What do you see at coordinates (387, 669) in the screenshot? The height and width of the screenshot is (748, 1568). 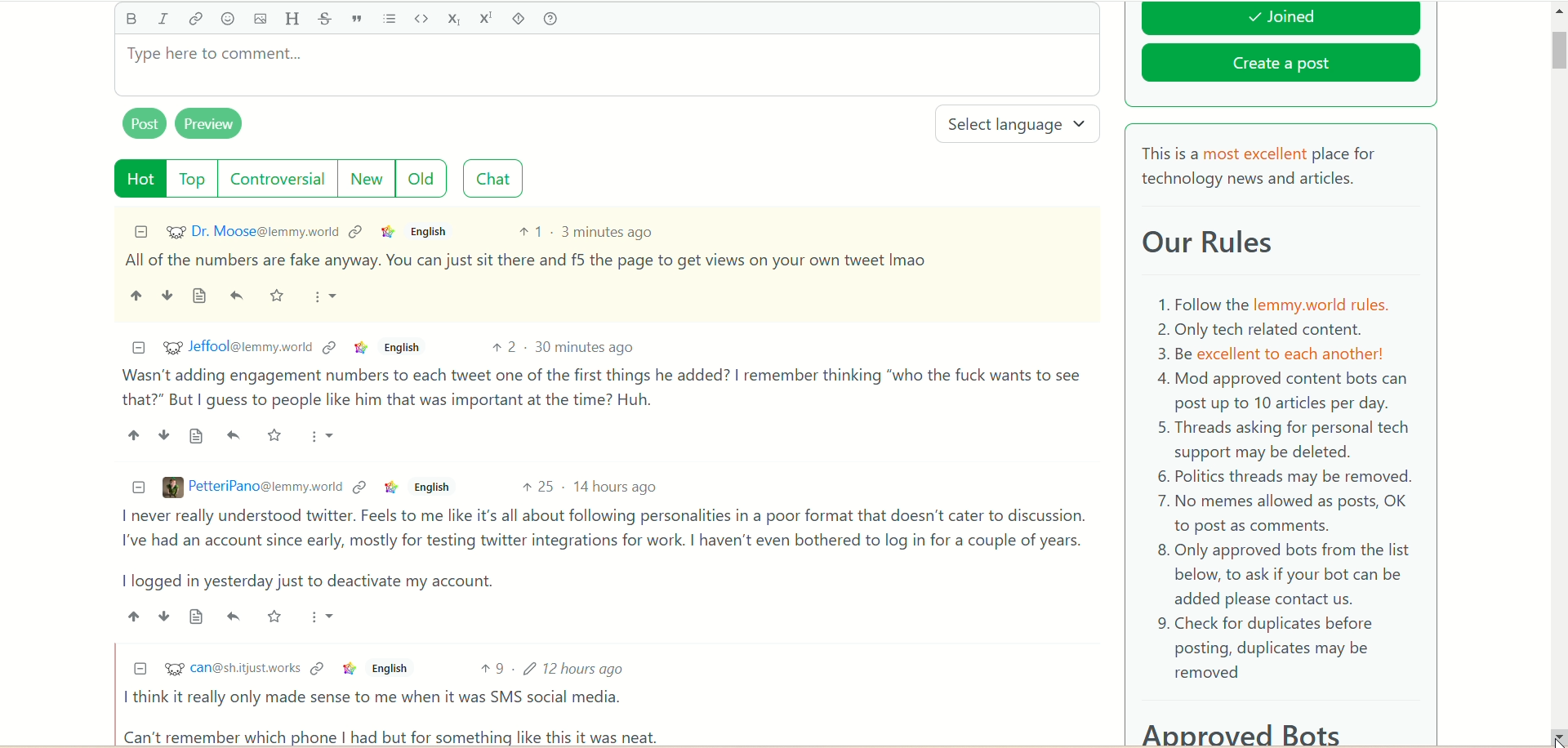 I see `‘English` at bounding box center [387, 669].